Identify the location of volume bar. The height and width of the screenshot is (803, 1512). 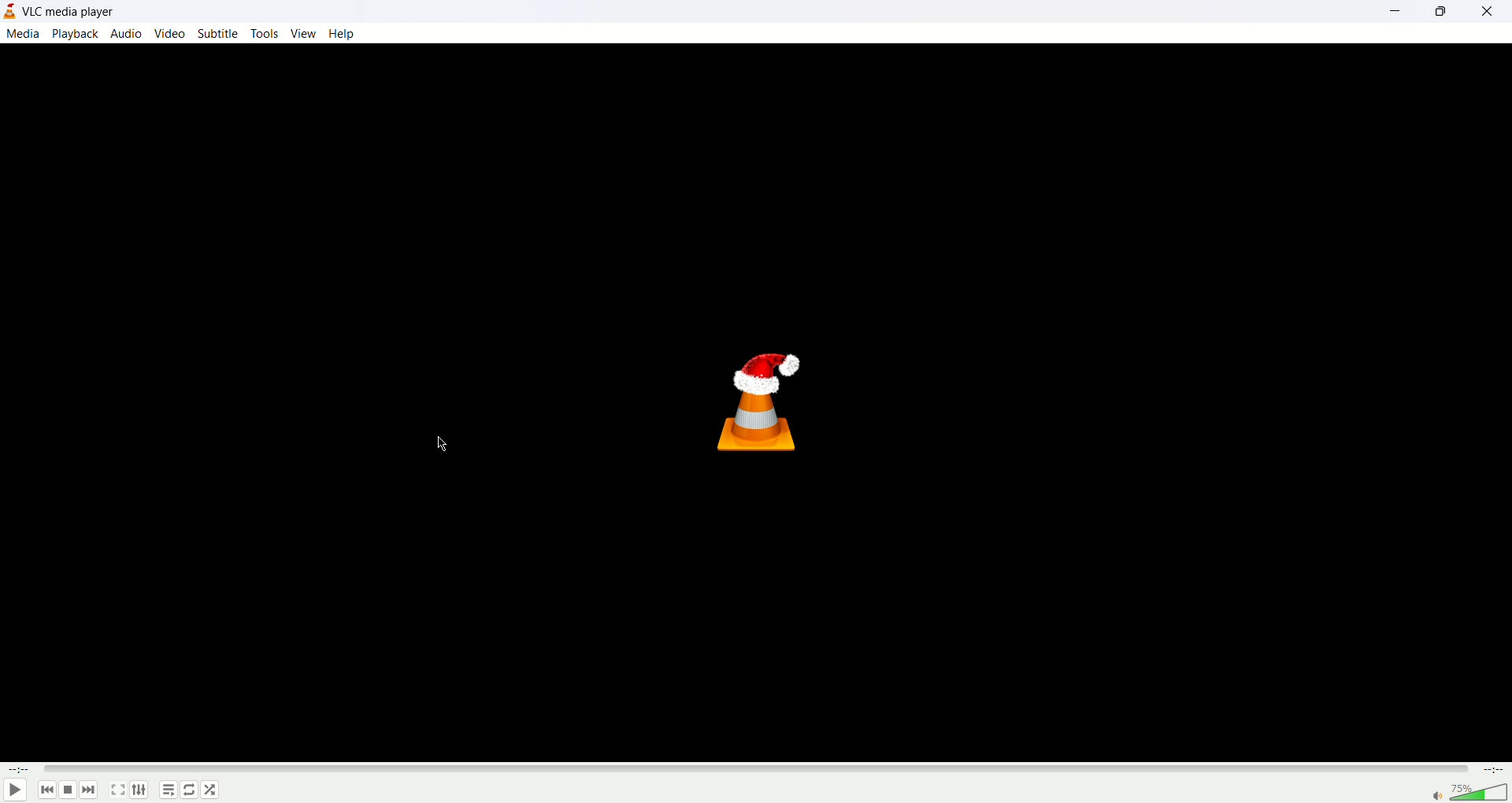
(1480, 793).